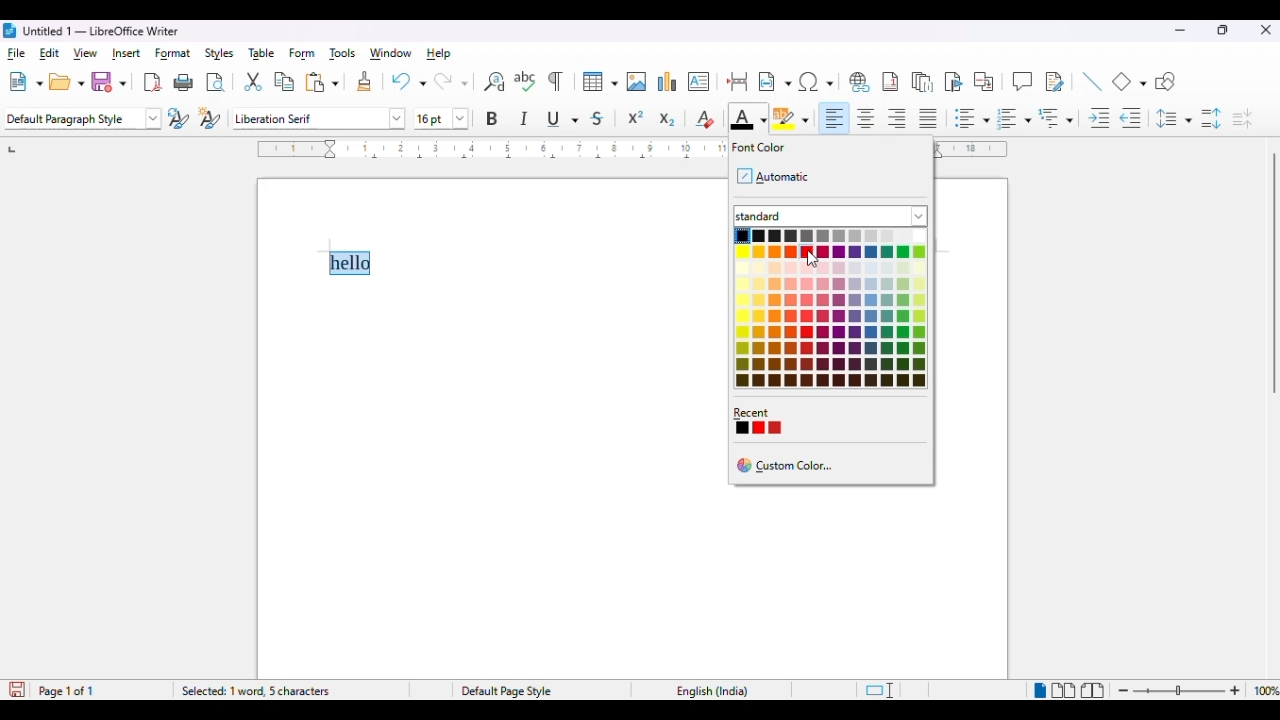 This screenshot has height=720, width=1280. I want to click on export directly as PDF, so click(152, 83).